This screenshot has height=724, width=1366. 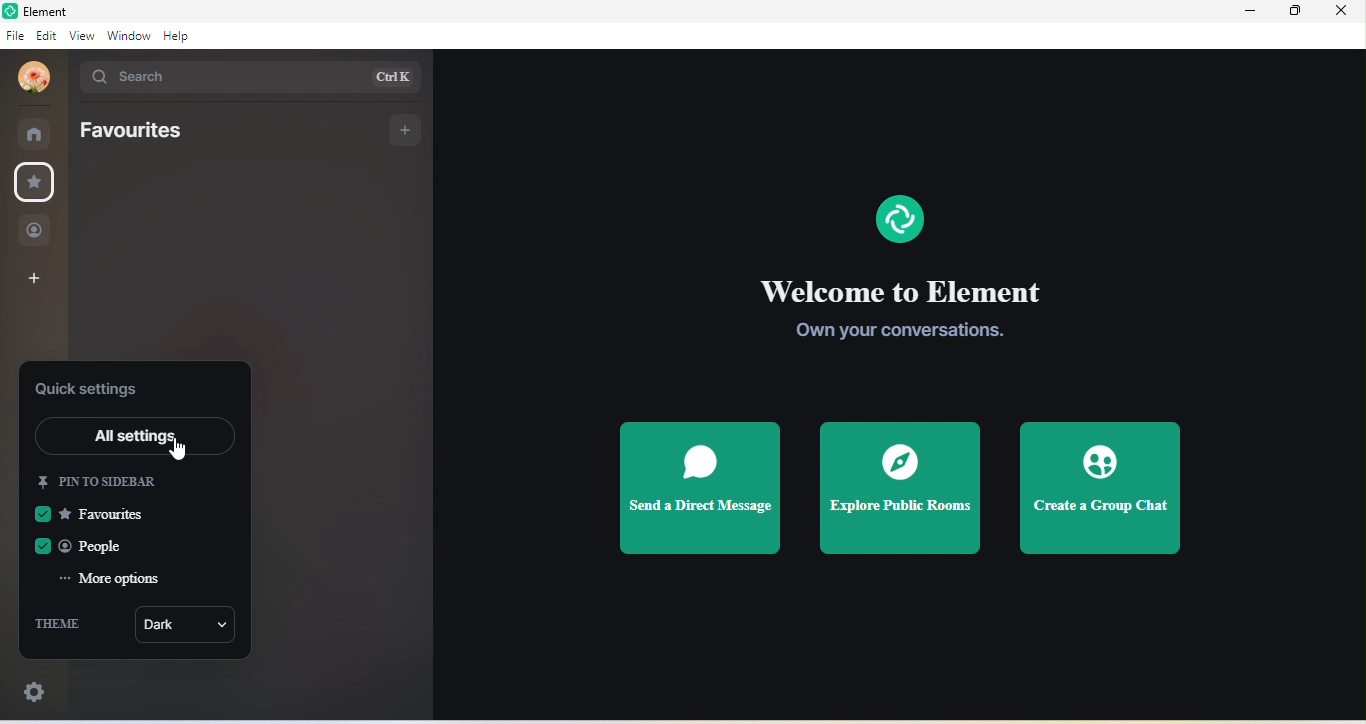 I want to click on welcome to element own your conversation, so click(x=904, y=314).